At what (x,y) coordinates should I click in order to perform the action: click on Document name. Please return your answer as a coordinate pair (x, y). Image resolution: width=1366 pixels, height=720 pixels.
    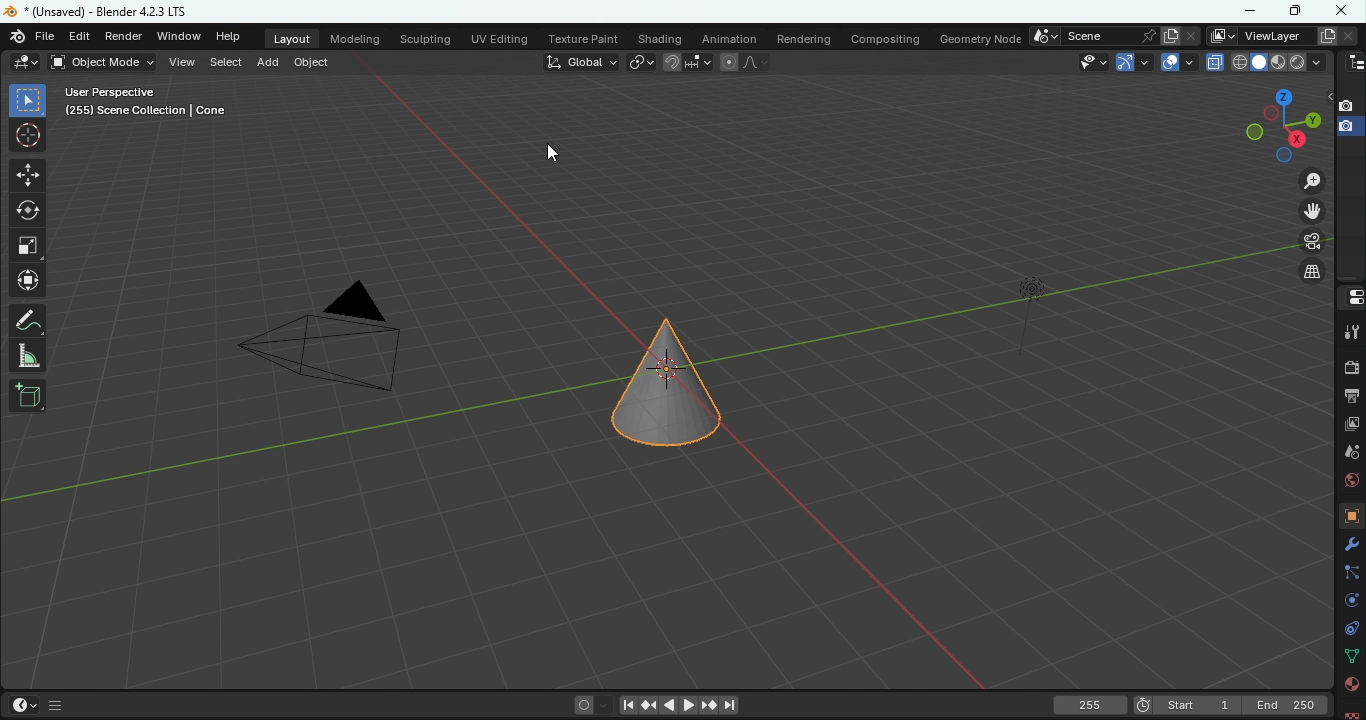
    Looking at the image, I should click on (101, 13).